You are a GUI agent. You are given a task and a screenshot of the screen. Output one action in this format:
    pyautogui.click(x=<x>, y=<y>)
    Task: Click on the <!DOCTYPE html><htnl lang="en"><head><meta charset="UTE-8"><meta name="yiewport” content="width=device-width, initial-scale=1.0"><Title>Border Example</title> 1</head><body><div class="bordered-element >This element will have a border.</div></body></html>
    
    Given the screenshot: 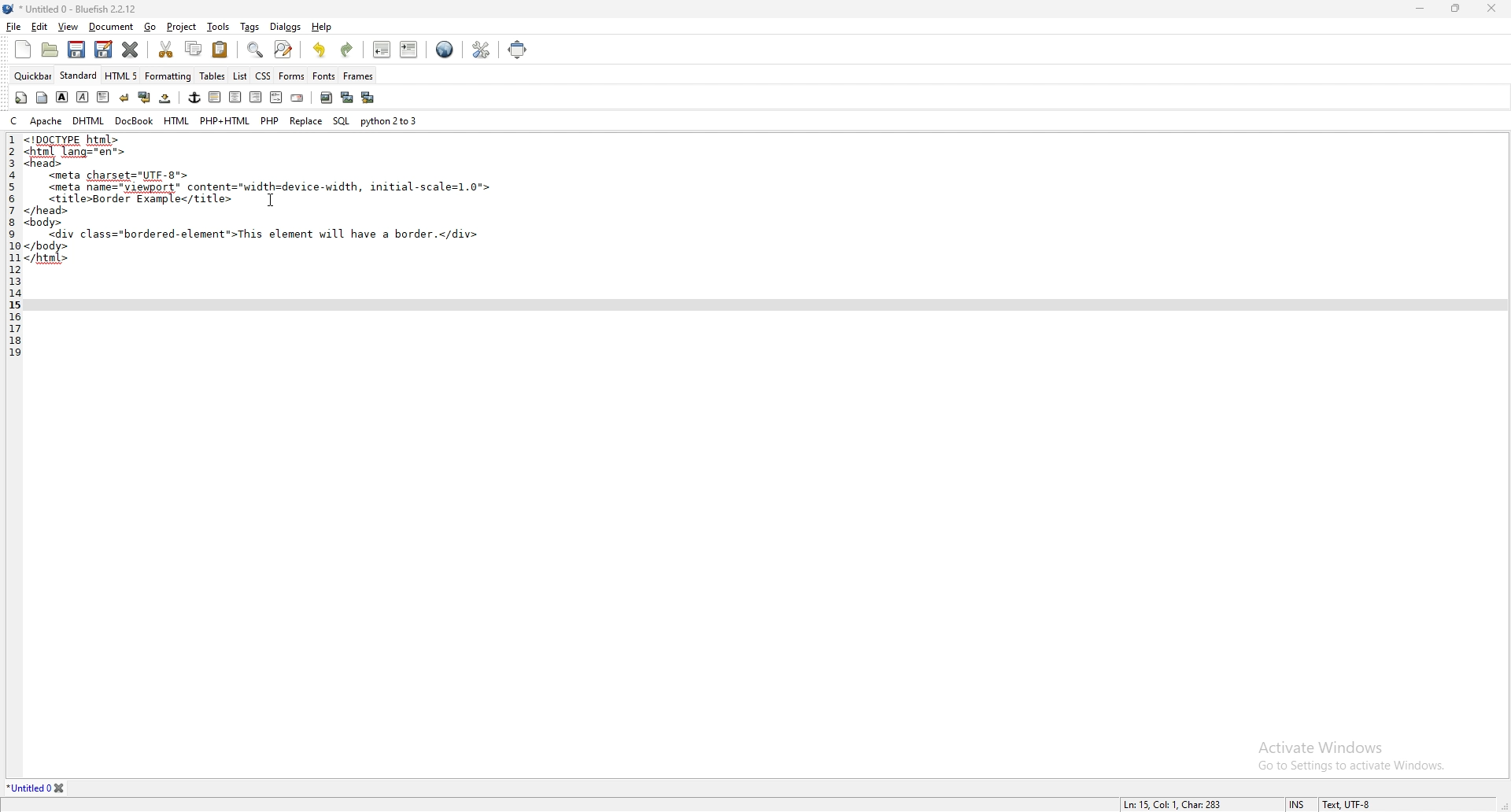 What is the action you would take?
    pyautogui.click(x=262, y=204)
    